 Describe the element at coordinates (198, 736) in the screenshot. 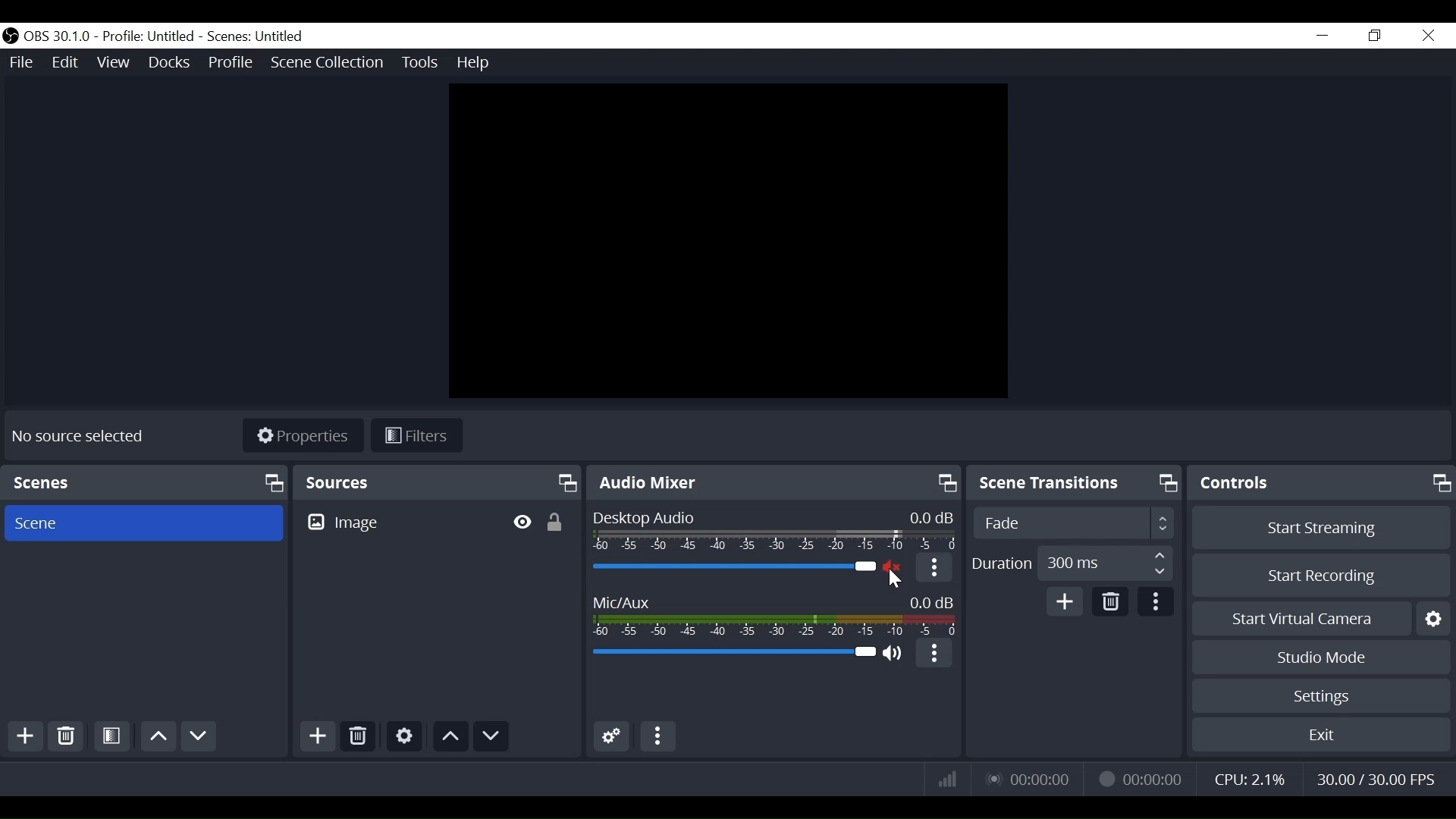

I see `Move down` at that location.